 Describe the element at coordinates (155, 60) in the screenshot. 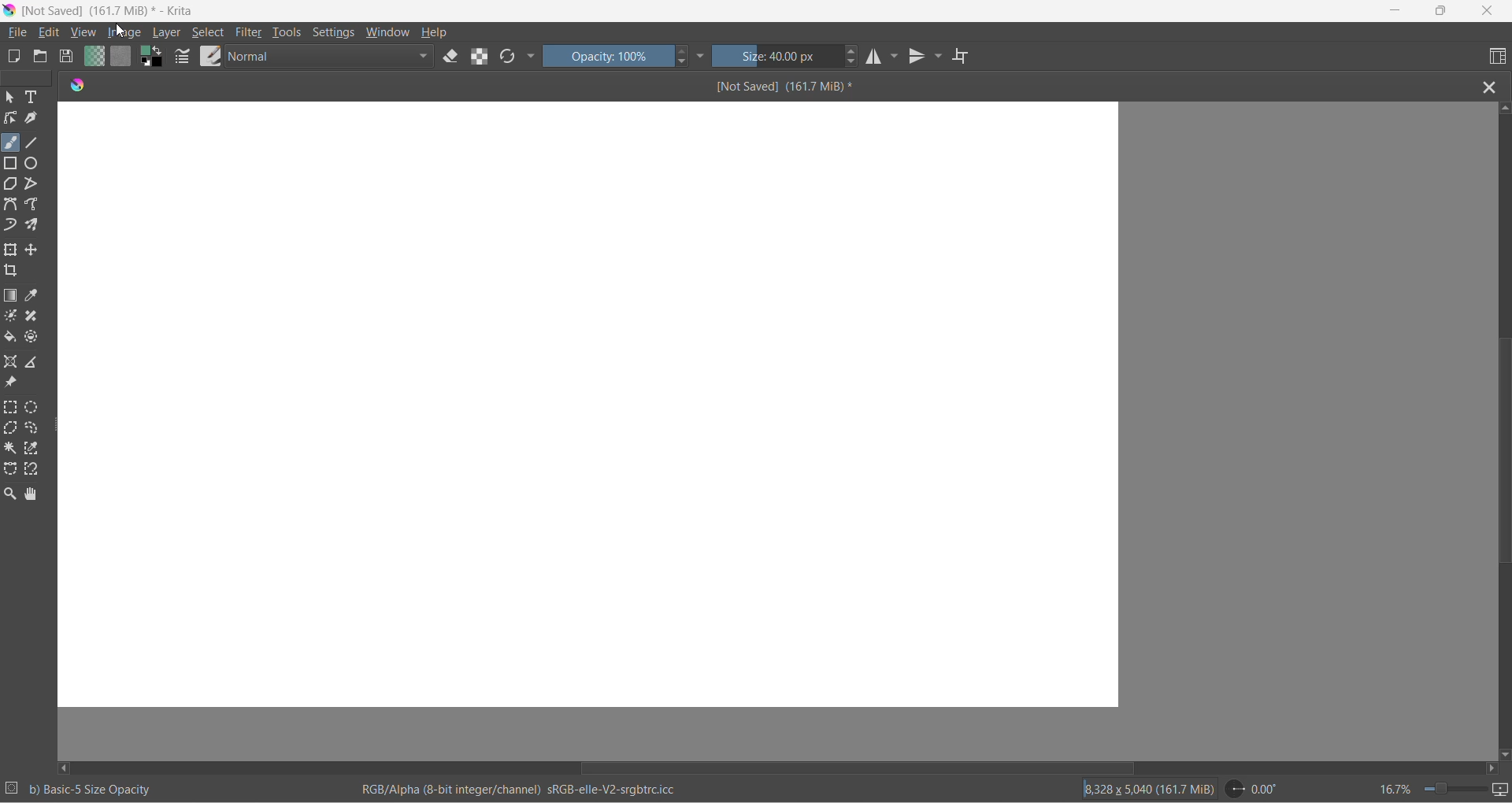

I see `swap foreground and background colors` at that location.